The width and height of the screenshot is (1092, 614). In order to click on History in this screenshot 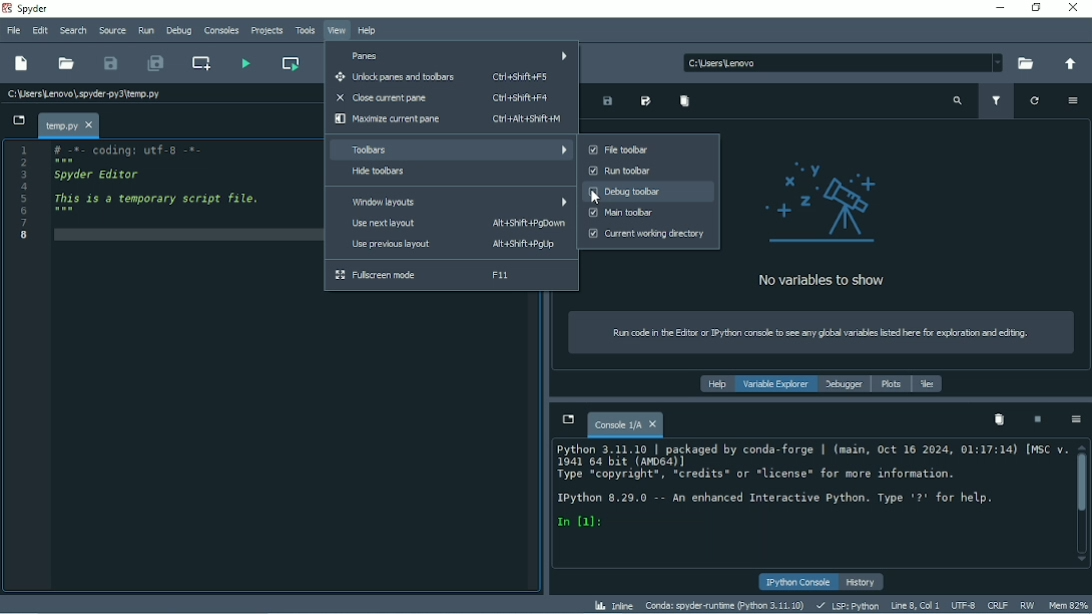, I will do `click(863, 582)`.